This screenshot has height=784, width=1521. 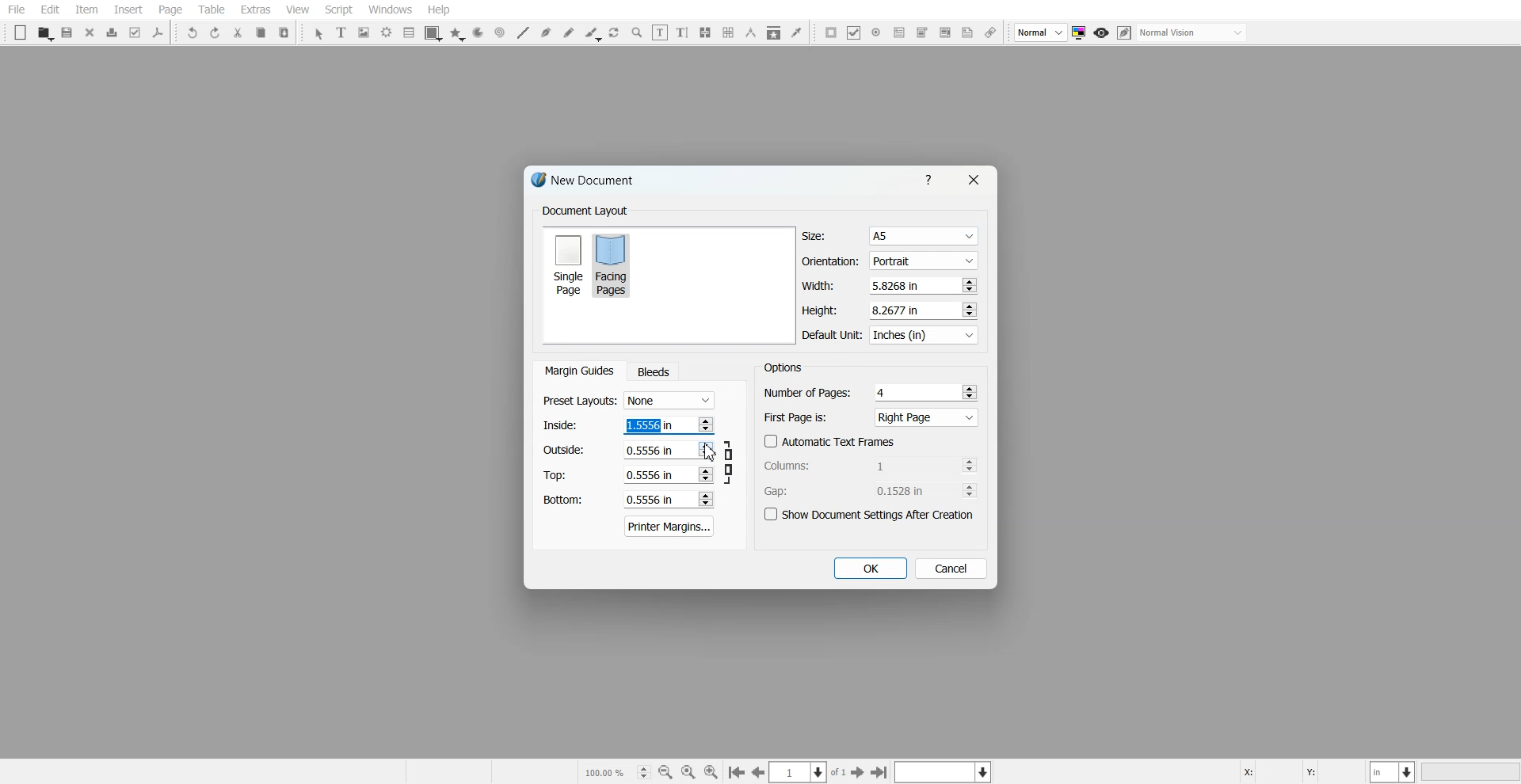 I want to click on Select visual appearance of the display, so click(x=1193, y=33).